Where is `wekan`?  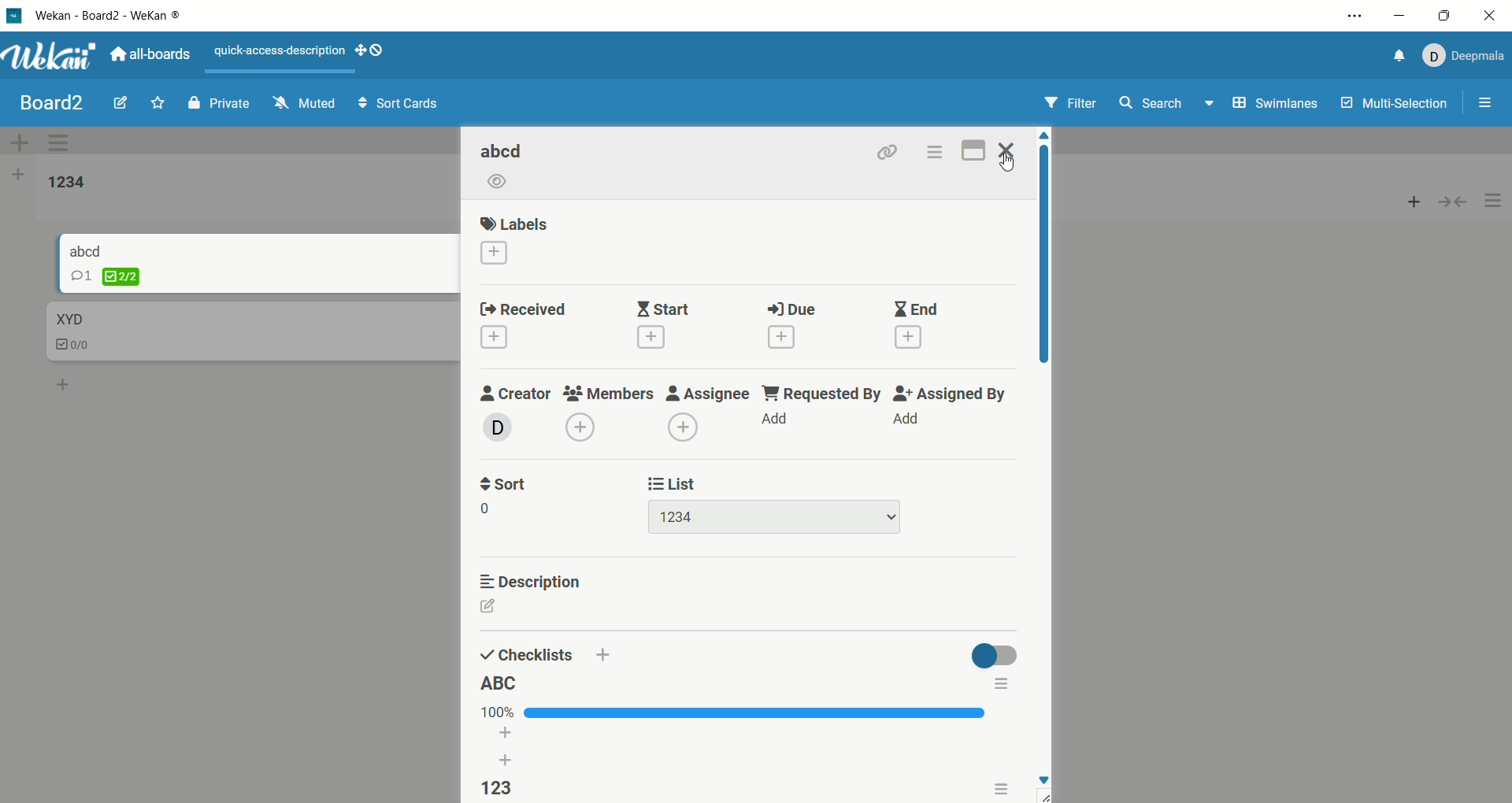
wekan is located at coordinates (53, 56).